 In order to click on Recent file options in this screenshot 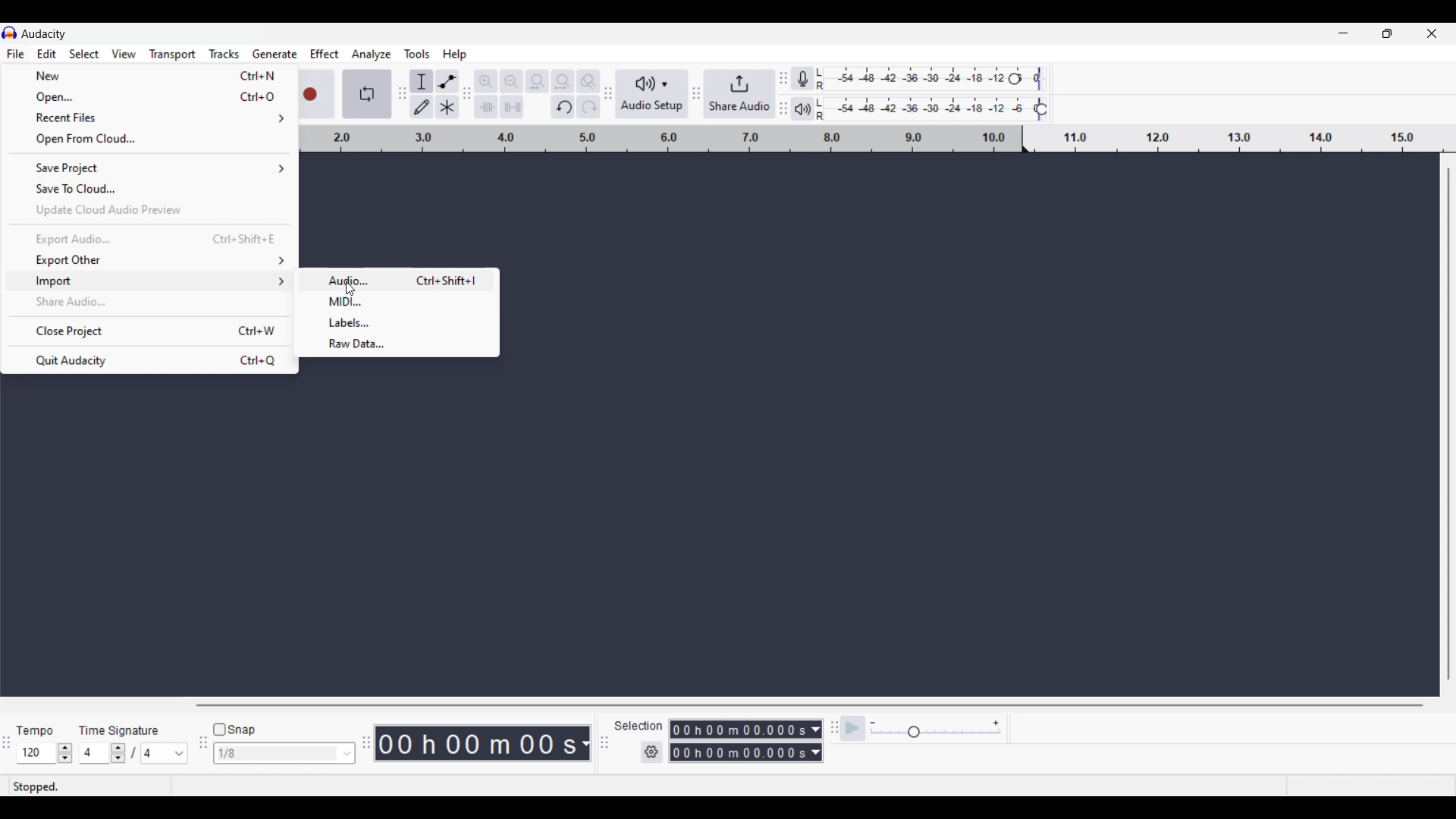, I will do `click(150, 118)`.